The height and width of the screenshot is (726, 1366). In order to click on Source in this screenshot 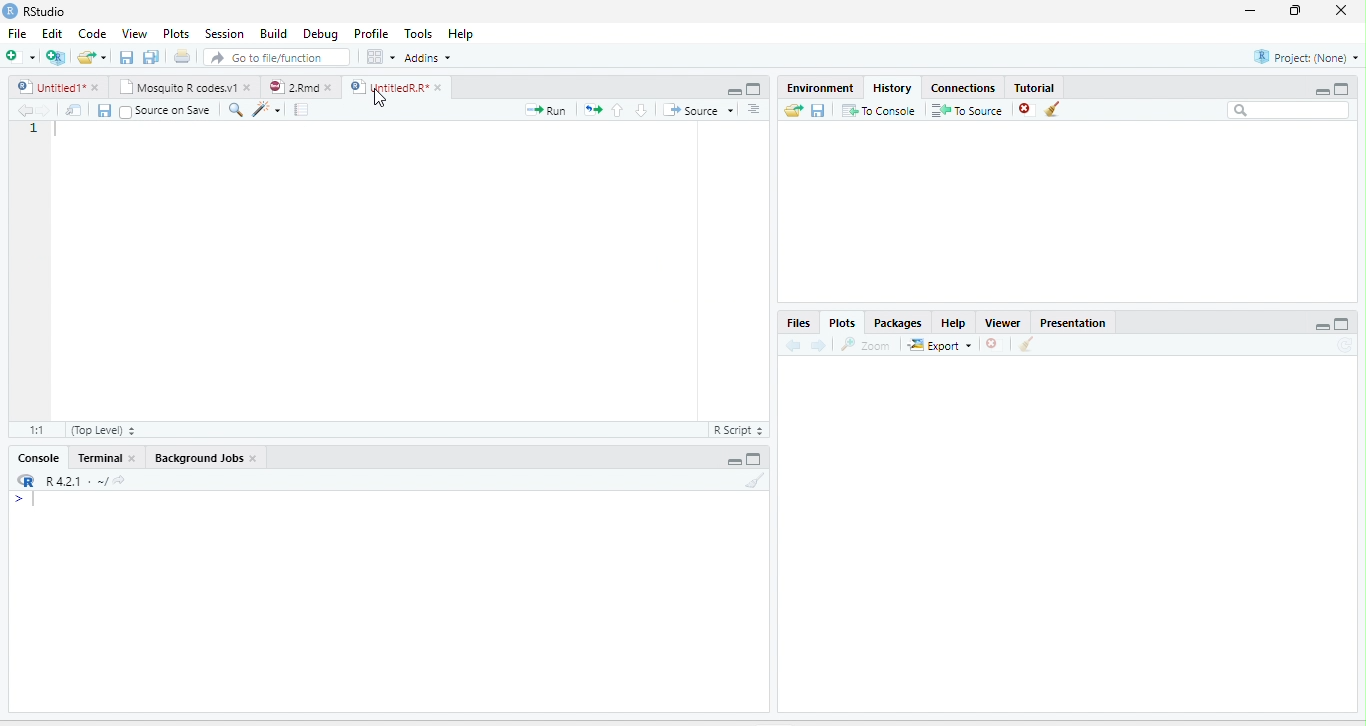, I will do `click(698, 110)`.